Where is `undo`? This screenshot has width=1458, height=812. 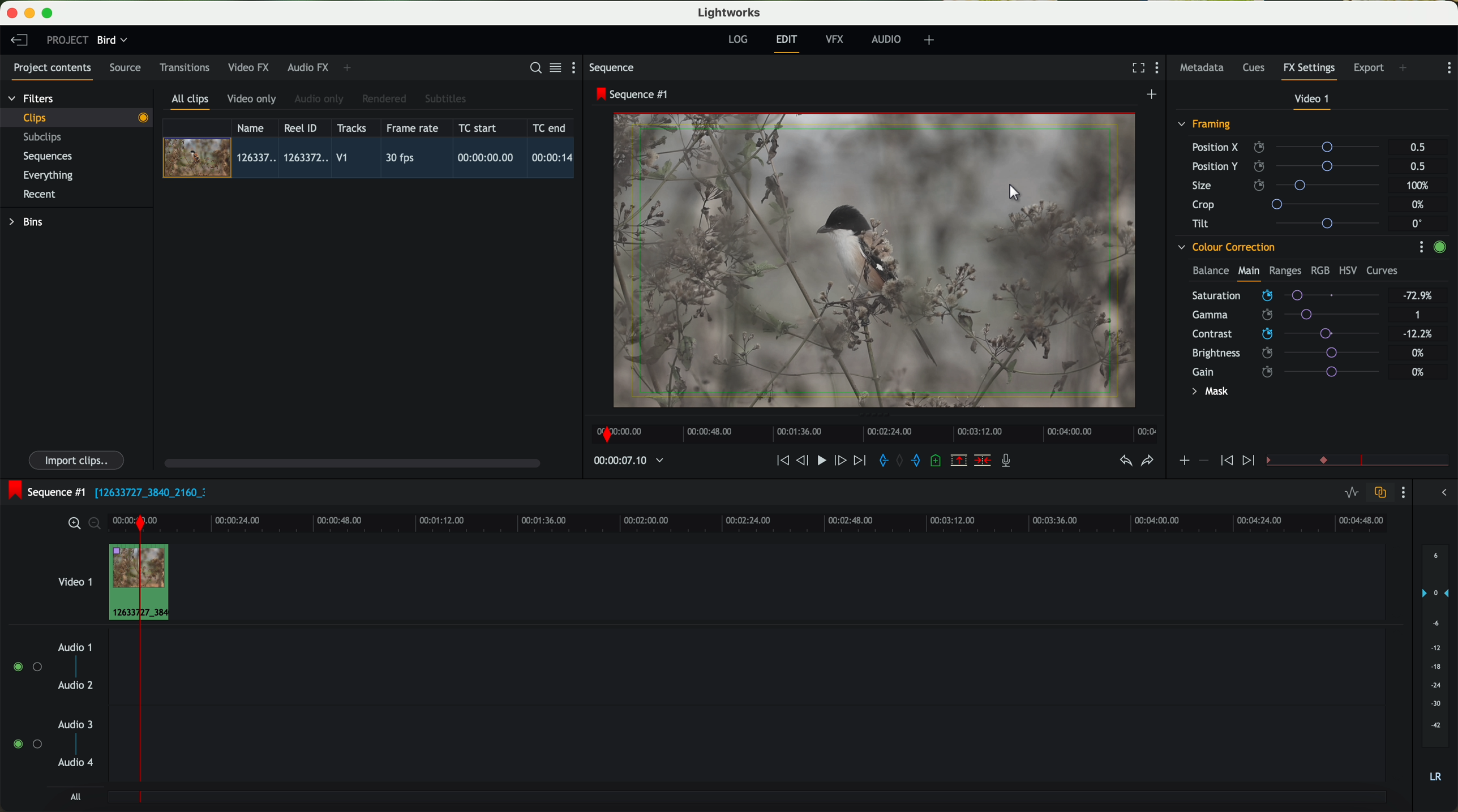
undo is located at coordinates (1125, 461).